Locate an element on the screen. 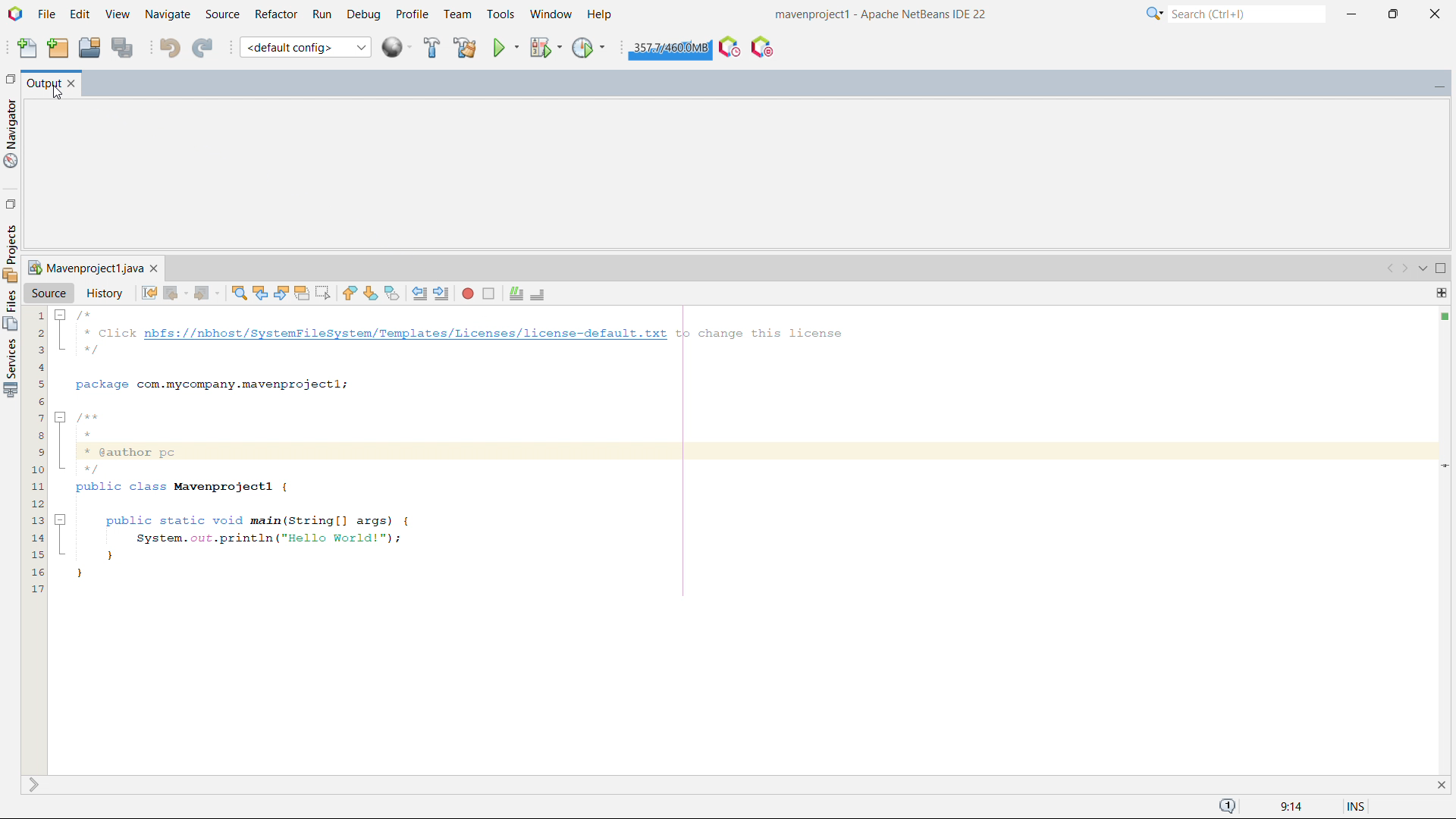 Image resolution: width=1456 pixels, height=819 pixels. searchbox is located at coordinates (1247, 14).